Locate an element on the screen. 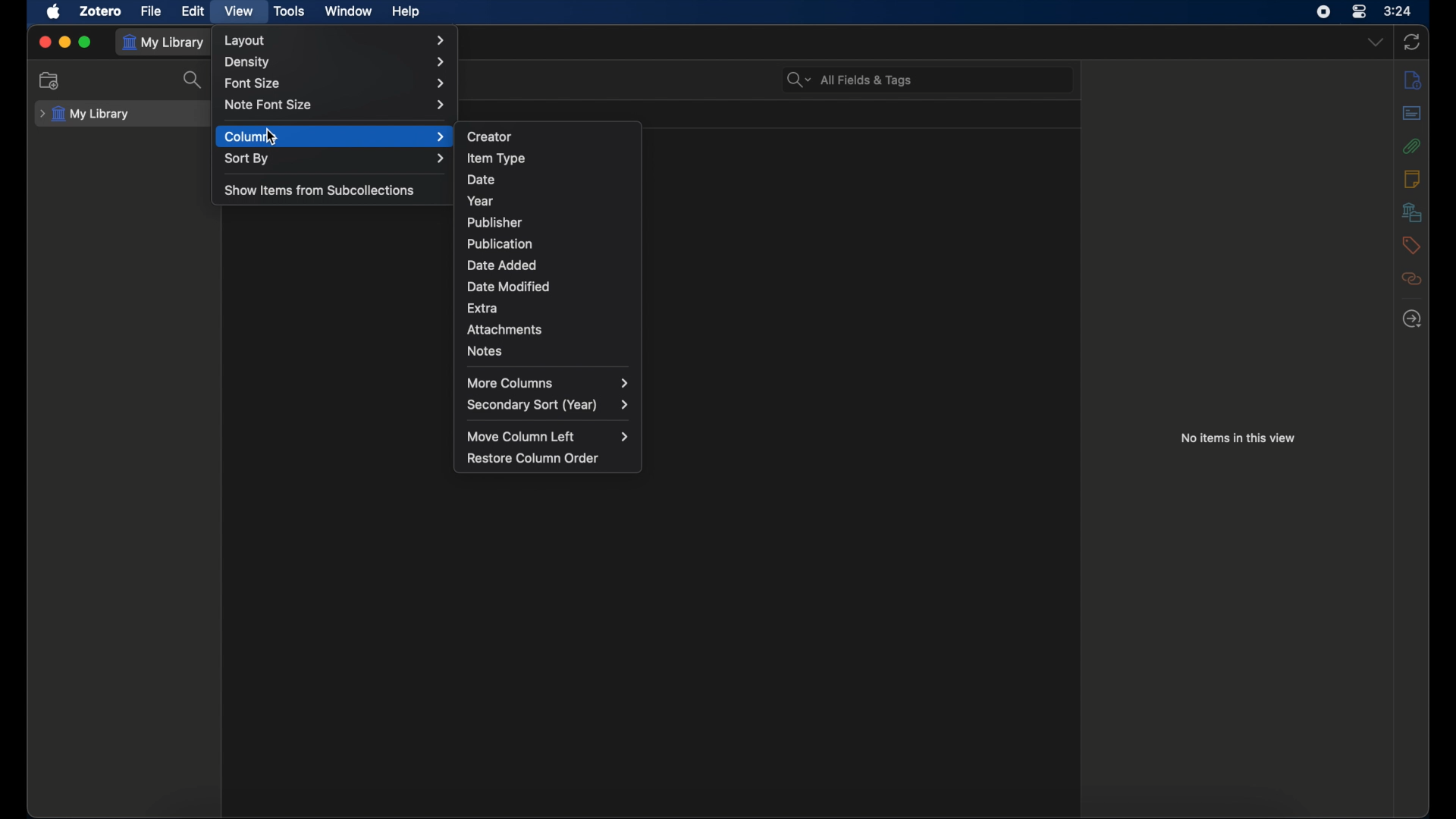 This screenshot has width=1456, height=819. new collection is located at coordinates (51, 81).